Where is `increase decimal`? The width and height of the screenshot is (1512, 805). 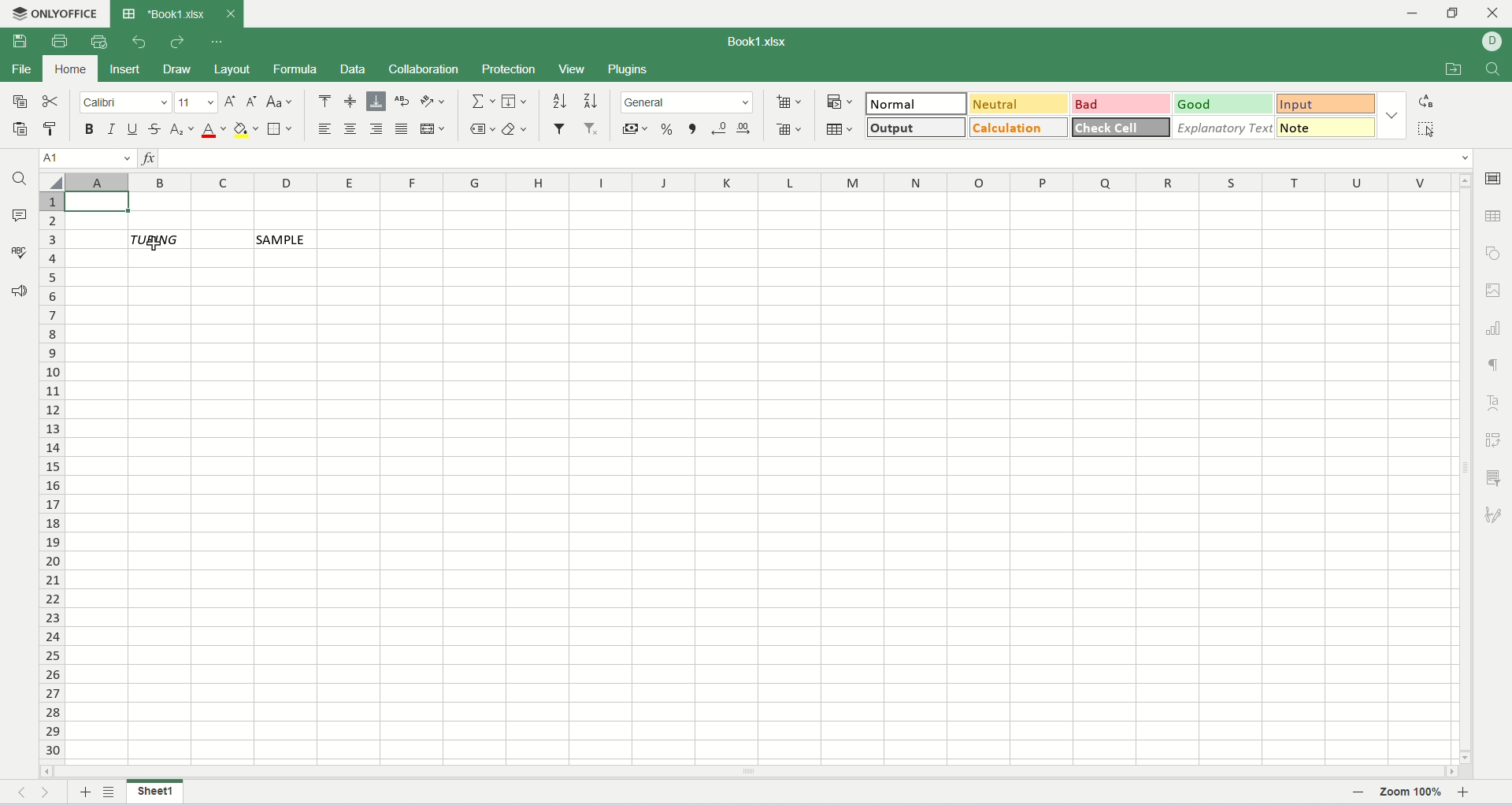 increase decimal is located at coordinates (745, 128).